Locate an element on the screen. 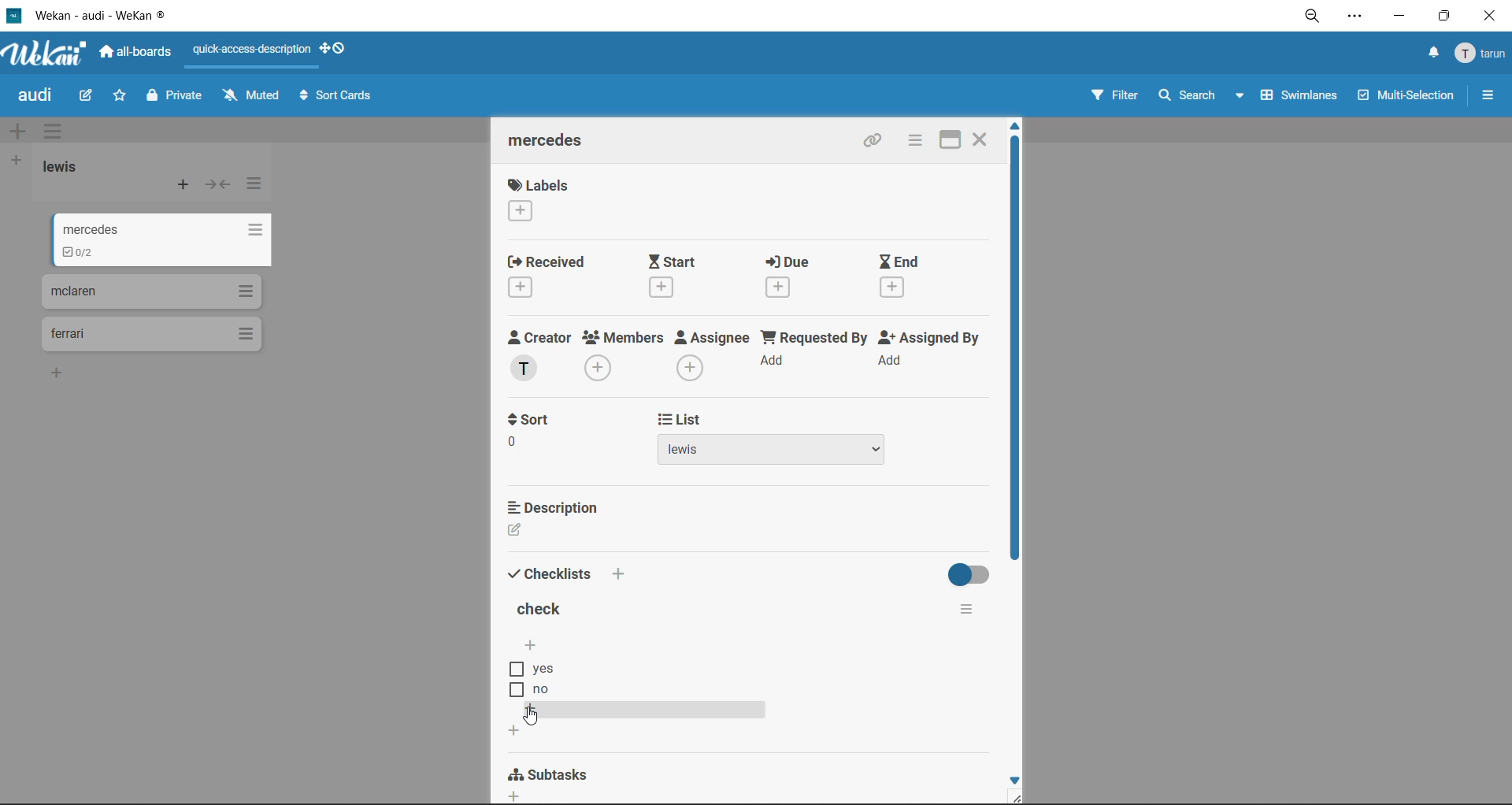 Image resolution: width=1512 pixels, height=805 pixels. Add Due Time is located at coordinates (782, 287).